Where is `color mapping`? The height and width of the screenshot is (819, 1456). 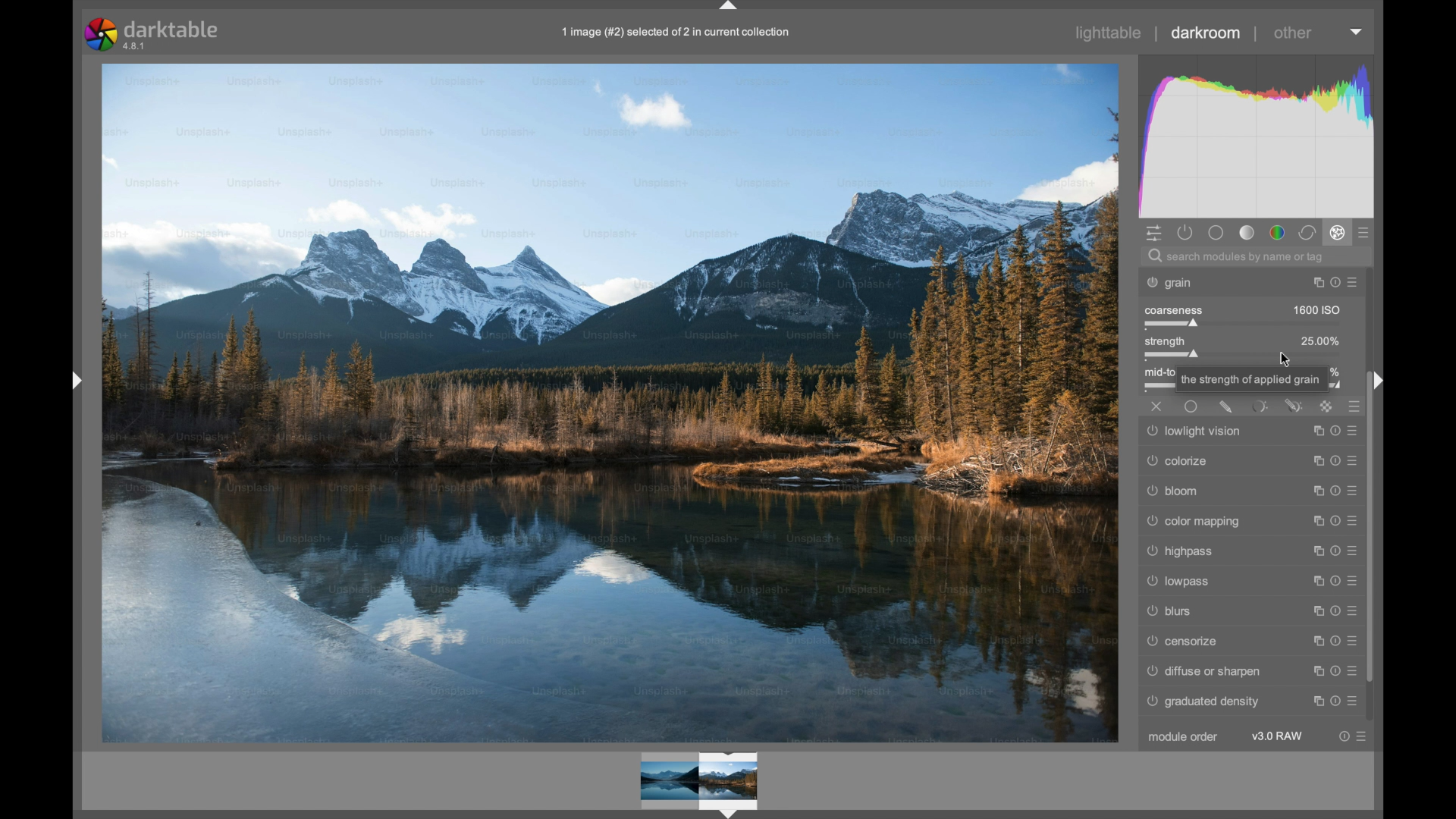
color mapping is located at coordinates (1200, 521).